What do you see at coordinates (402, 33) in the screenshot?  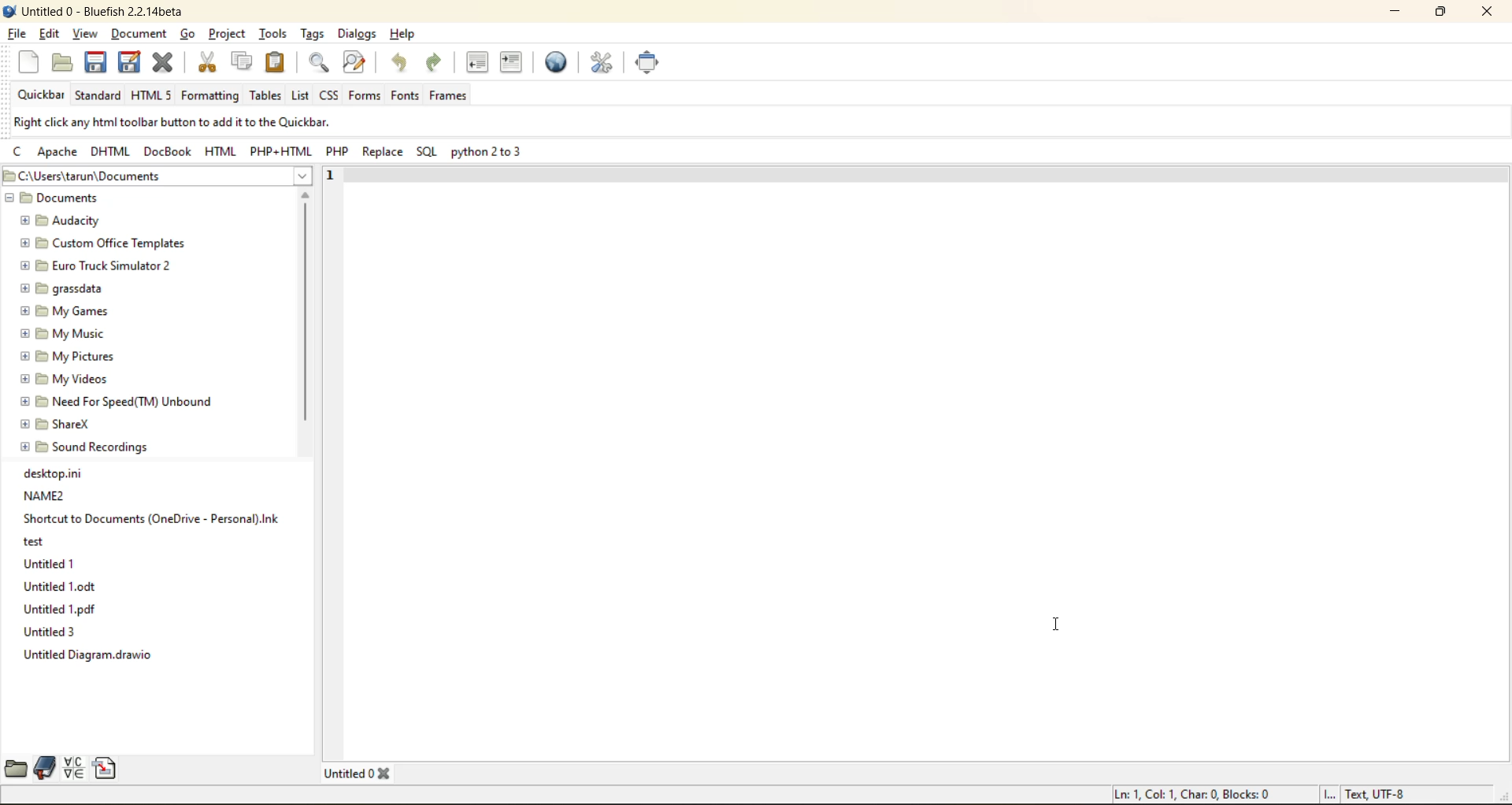 I see `help` at bounding box center [402, 33].